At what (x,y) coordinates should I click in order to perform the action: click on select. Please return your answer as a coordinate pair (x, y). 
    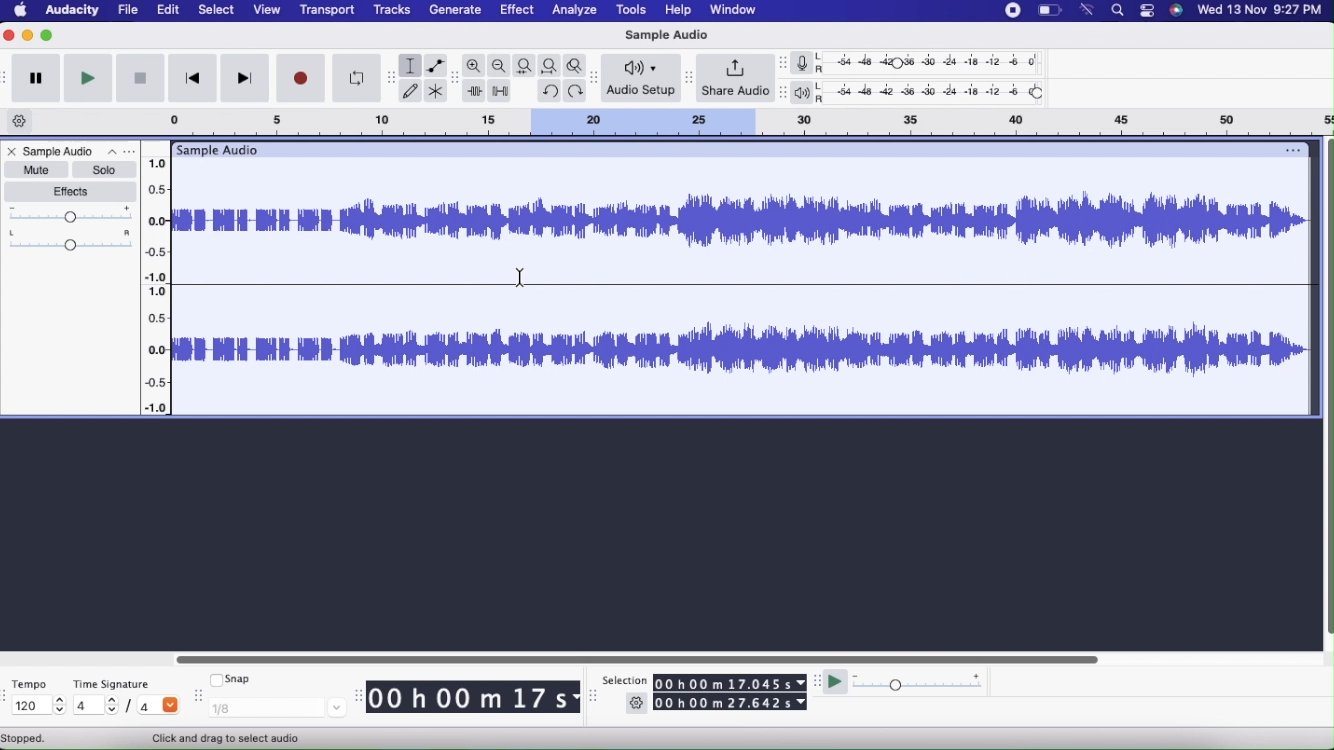
    Looking at the image, I should click on (216, 11).